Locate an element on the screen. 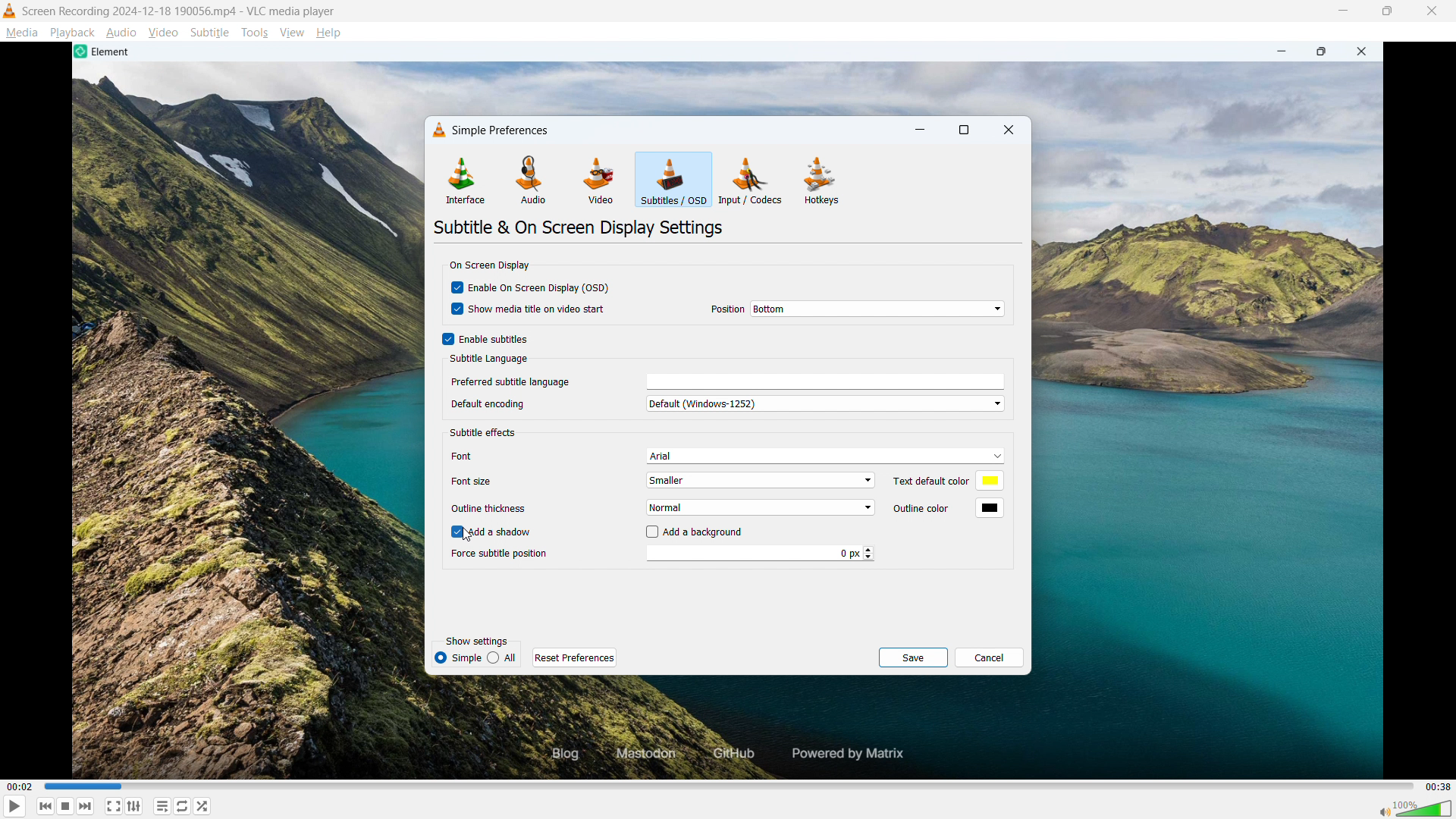 This screenshot has width=1456, height=819. Interface  is located at coordinates (466, 180).